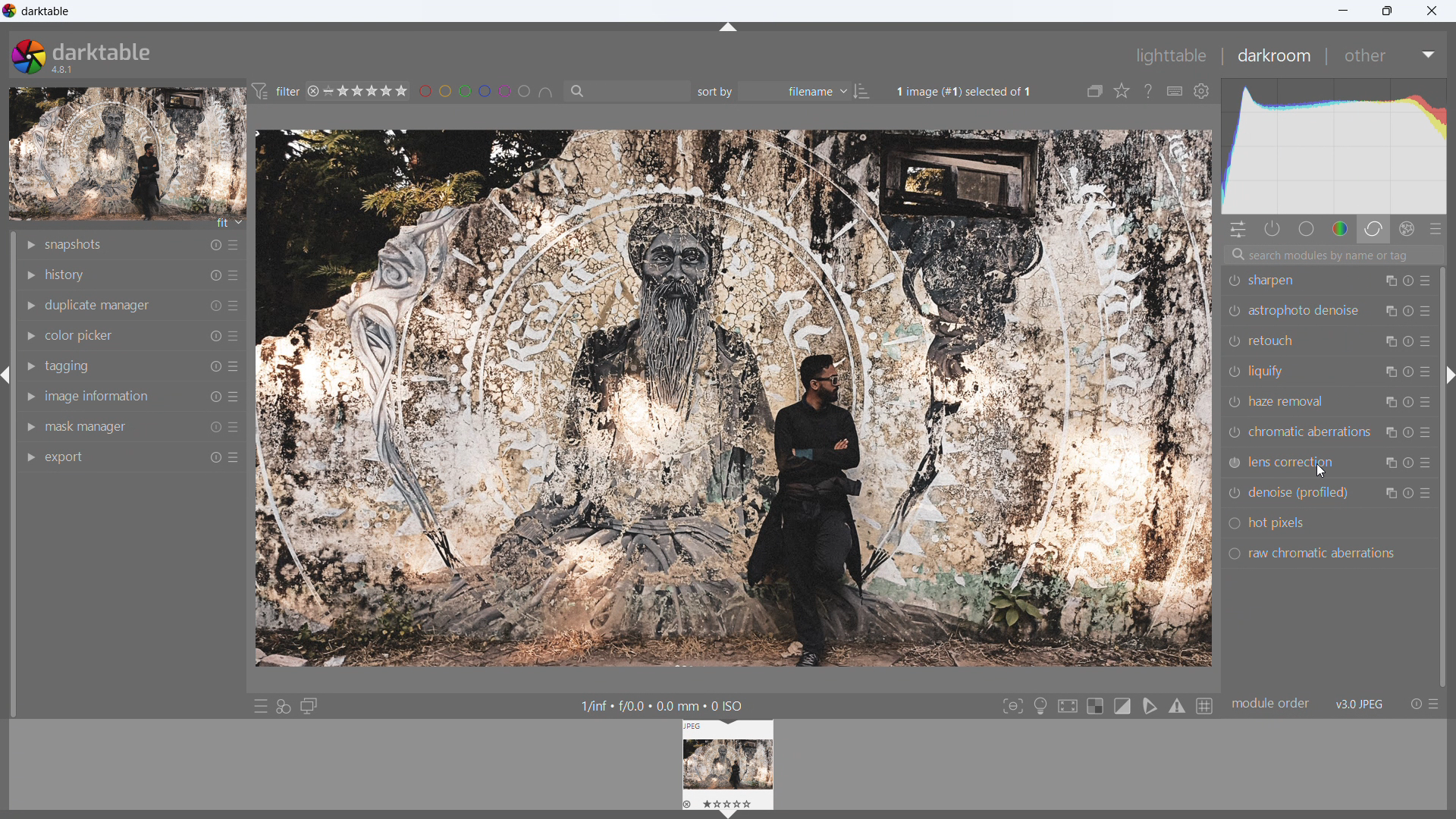  What do you see at coordinates (215, 244) in the screenshot?
I see `reset` at bounding box center [215, 244].